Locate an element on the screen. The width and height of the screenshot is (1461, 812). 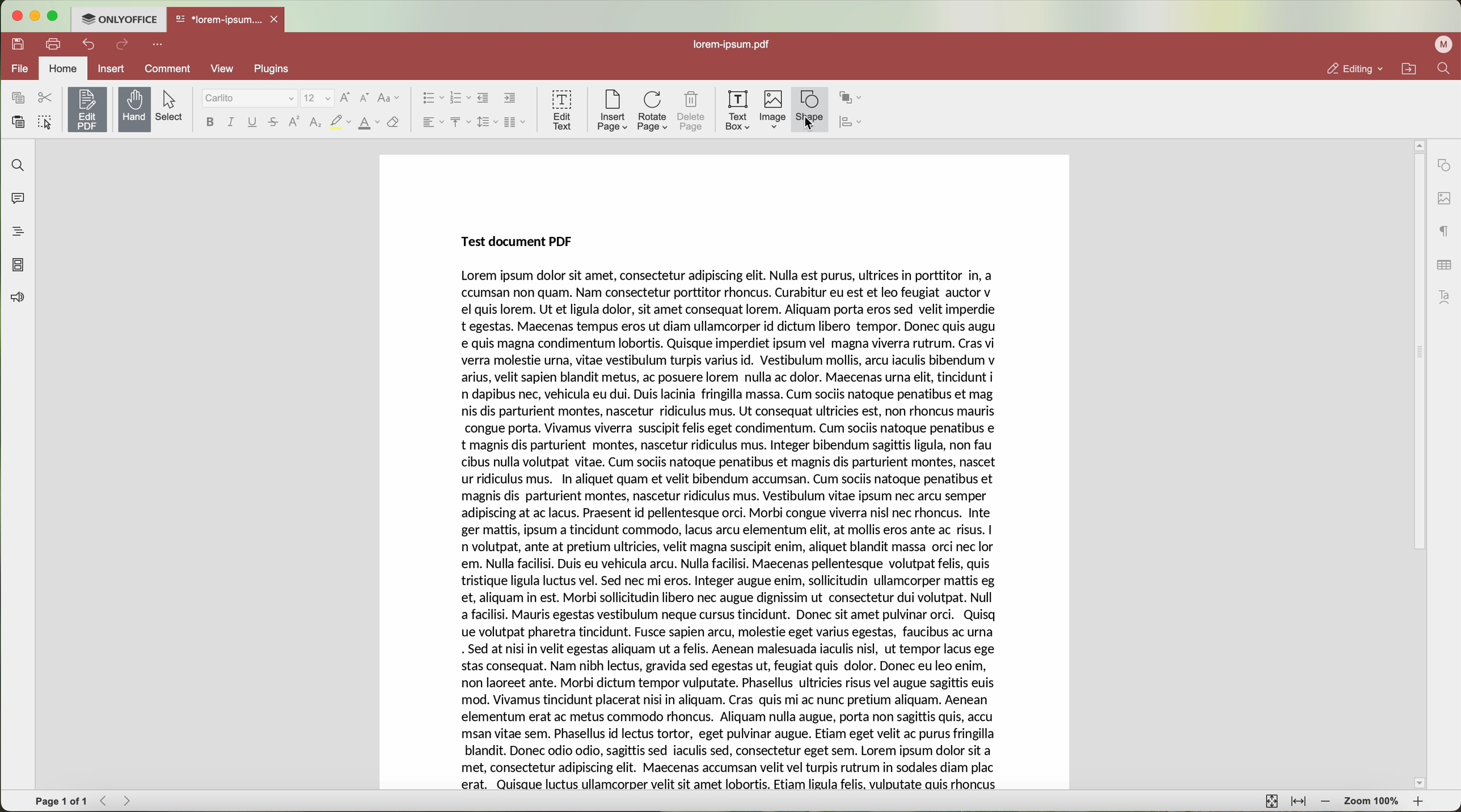
underline is located at coordinates (253, 122).